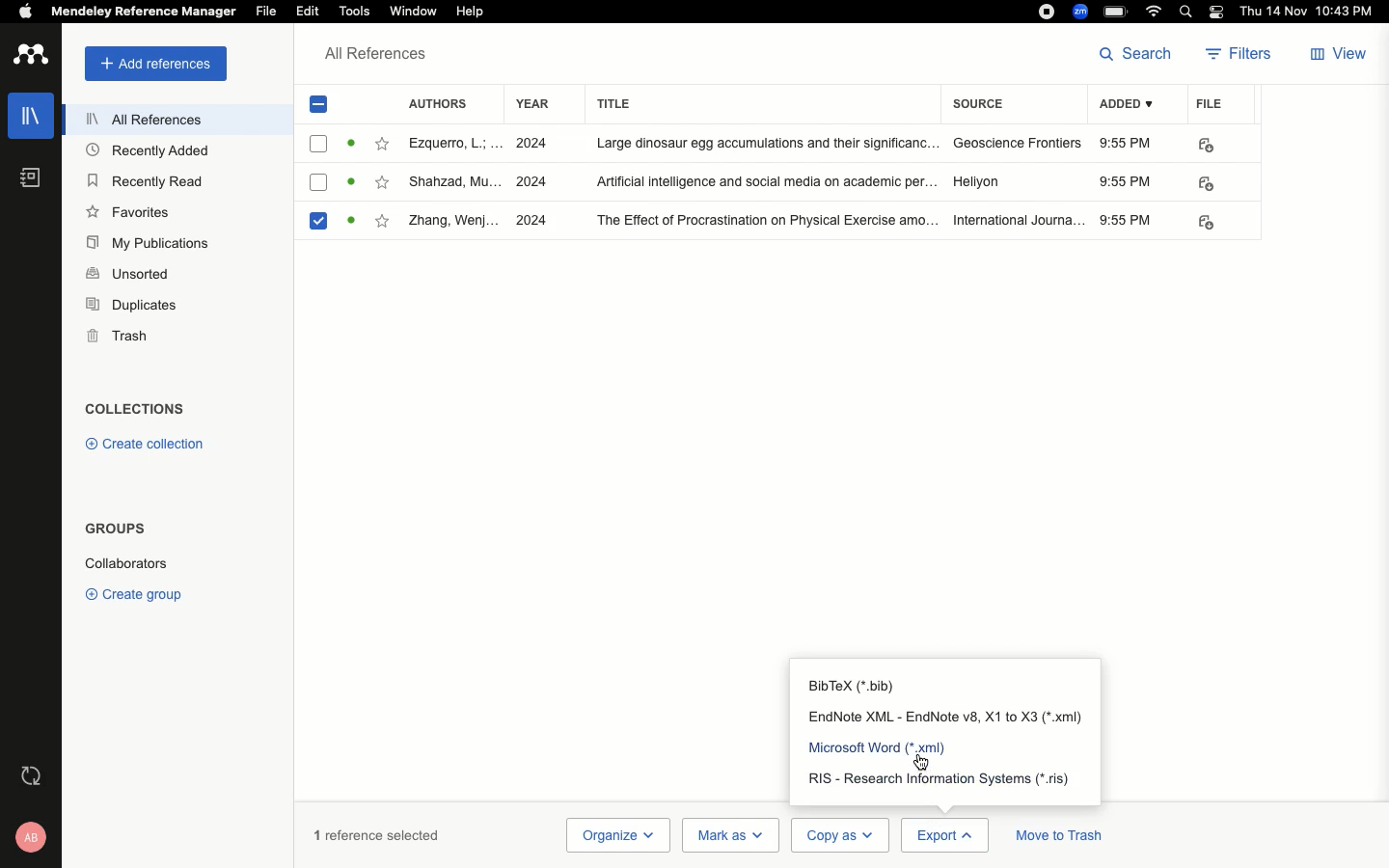  Describe the element at coordinates (978, 179) in the screenshot. I see `Hellyon` at that location.